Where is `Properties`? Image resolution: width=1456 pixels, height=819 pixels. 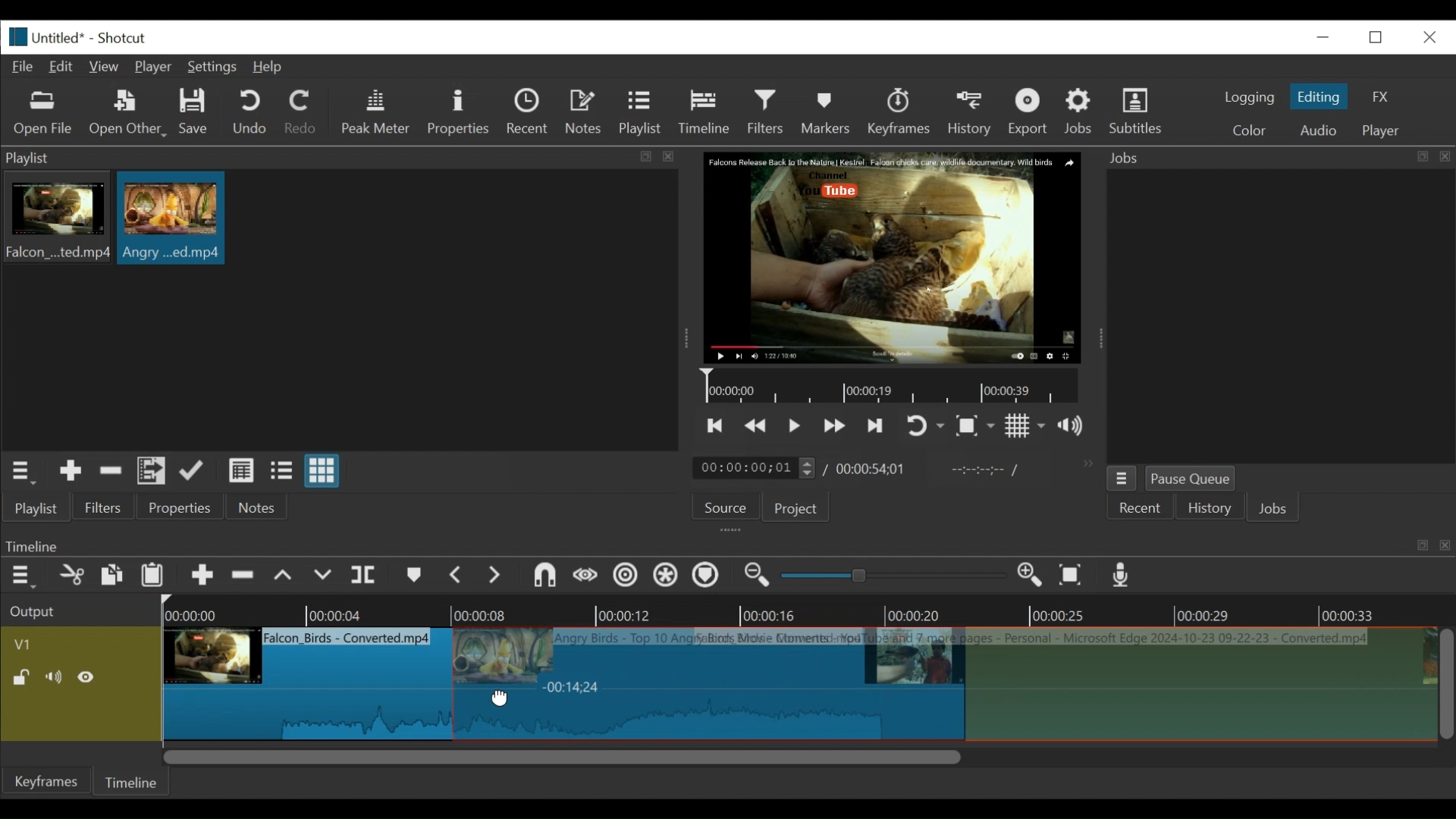 Properties is located at coordinates (460, 112).